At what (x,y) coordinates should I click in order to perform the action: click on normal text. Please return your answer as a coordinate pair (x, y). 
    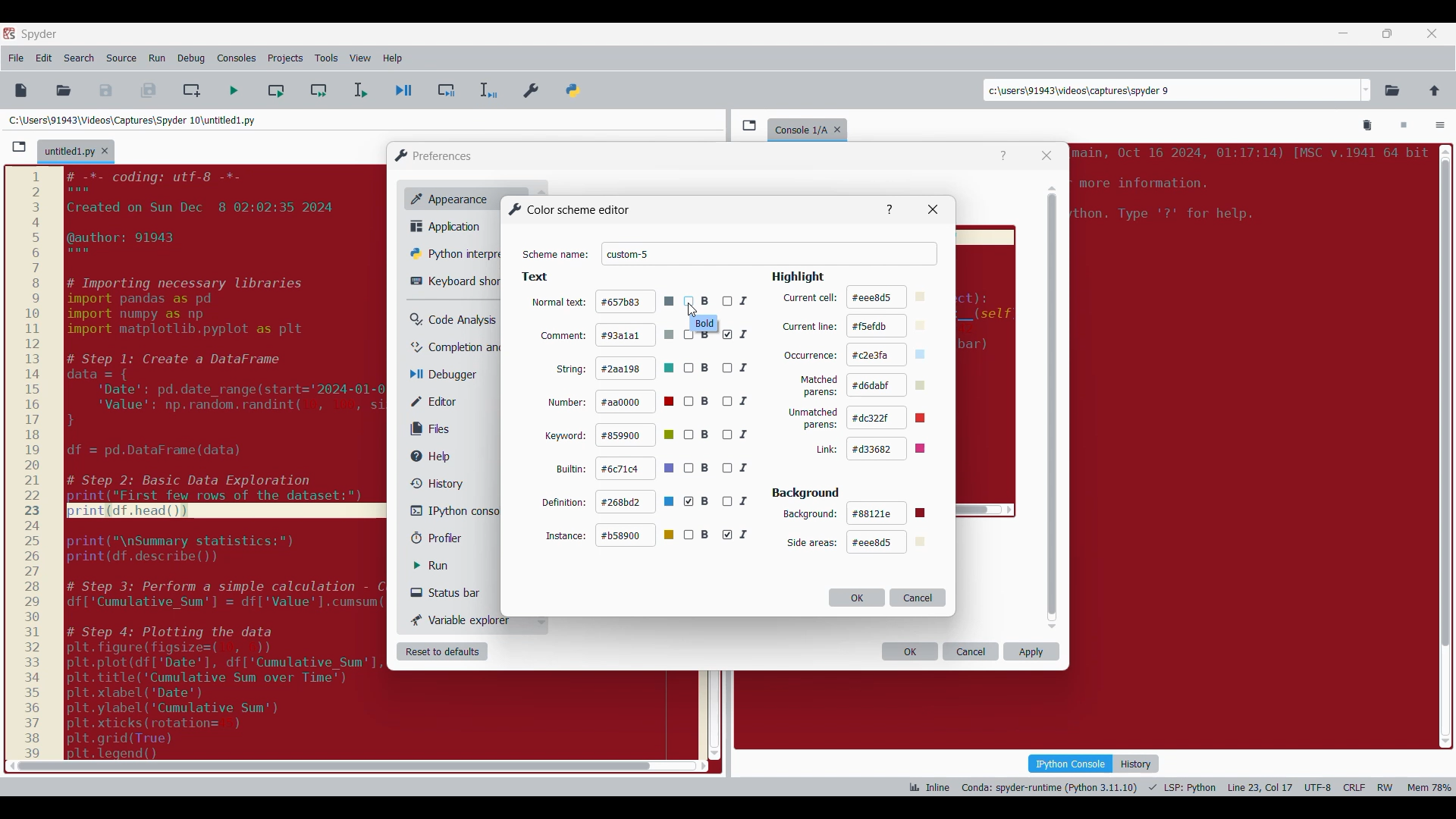
    Looking at the image, I should click on (558, 304).